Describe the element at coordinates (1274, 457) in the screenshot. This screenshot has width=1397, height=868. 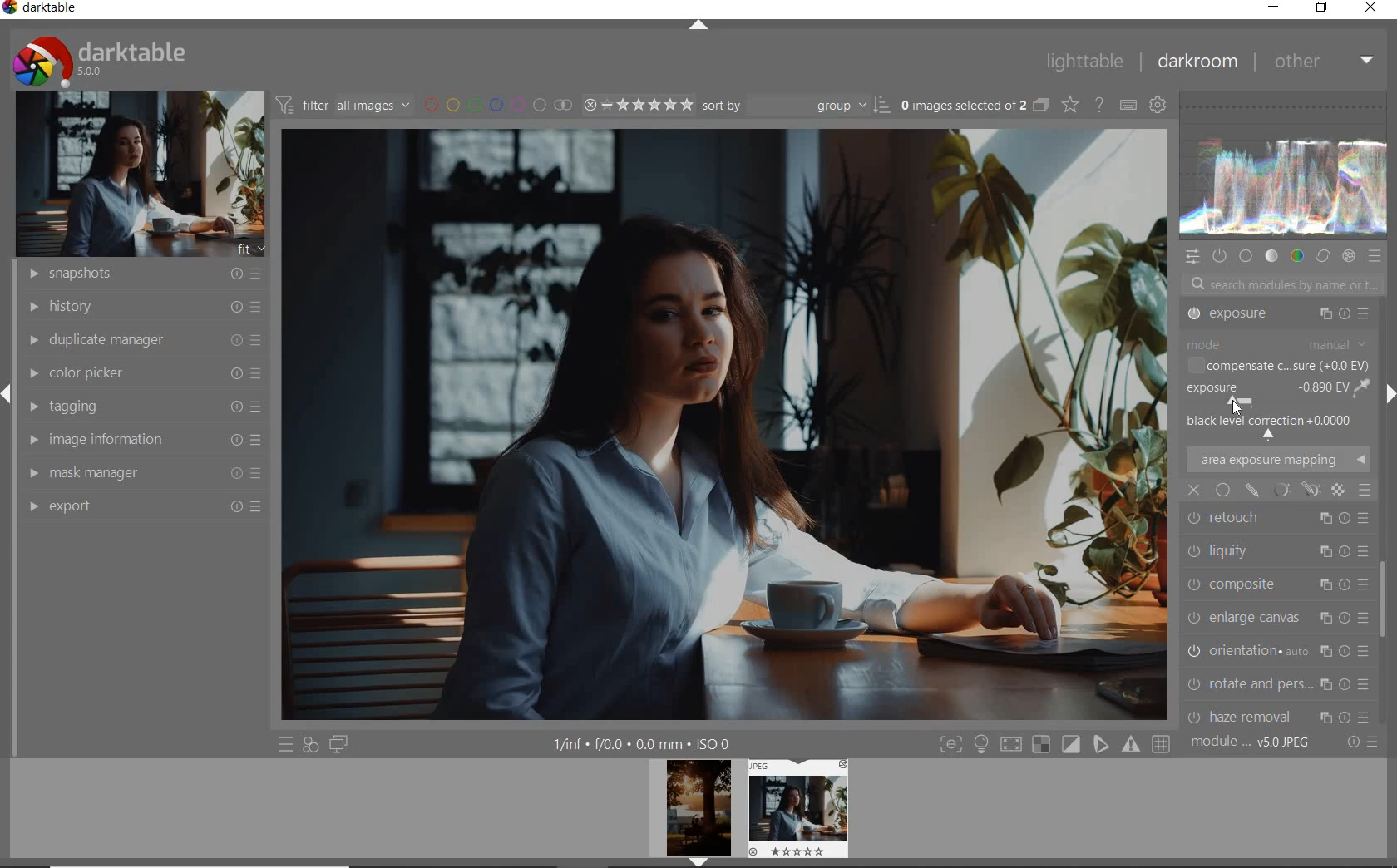
I see `LIQUIFY` at that location.